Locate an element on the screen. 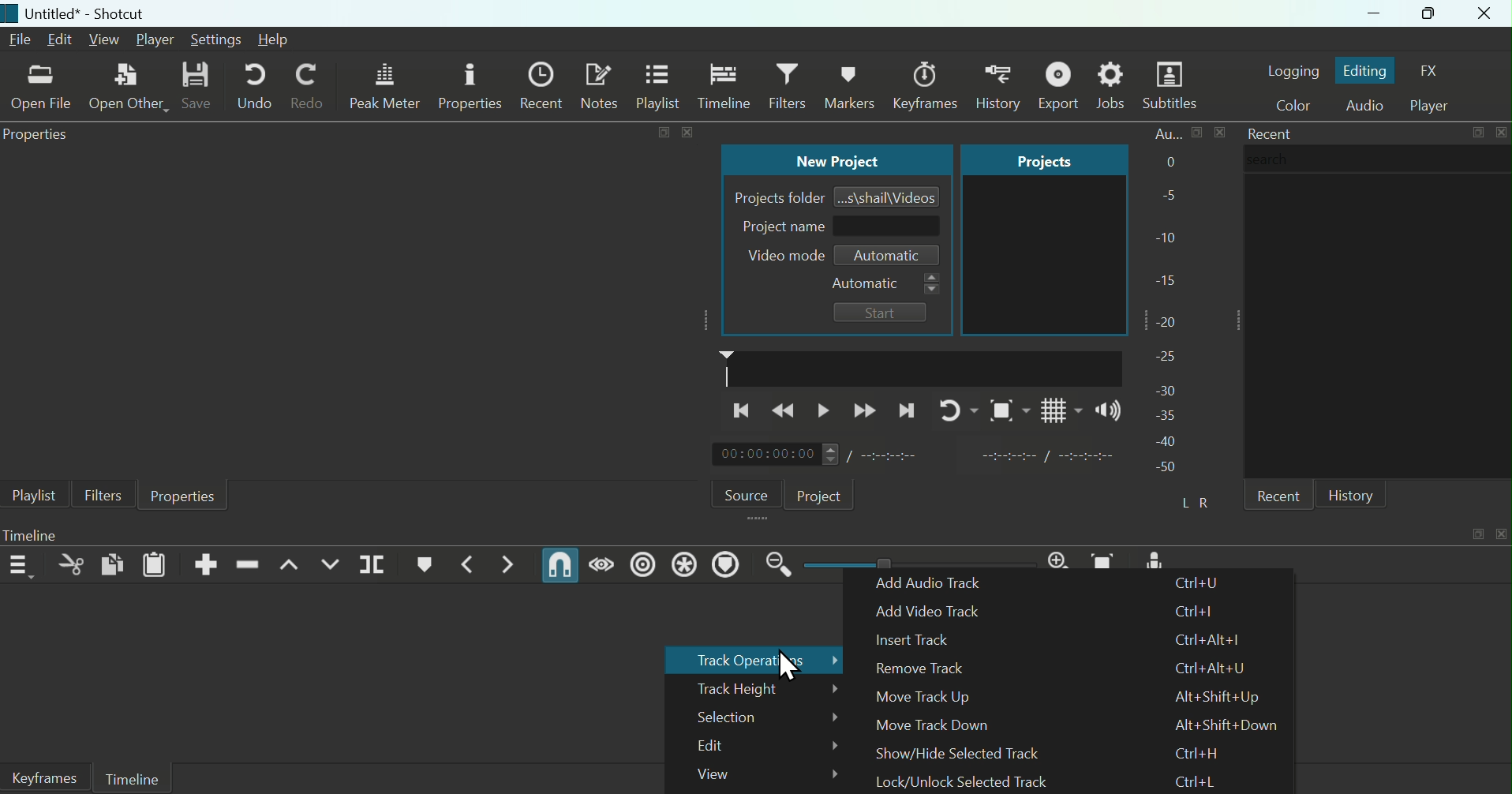  View is located at coordinates (756, 775).